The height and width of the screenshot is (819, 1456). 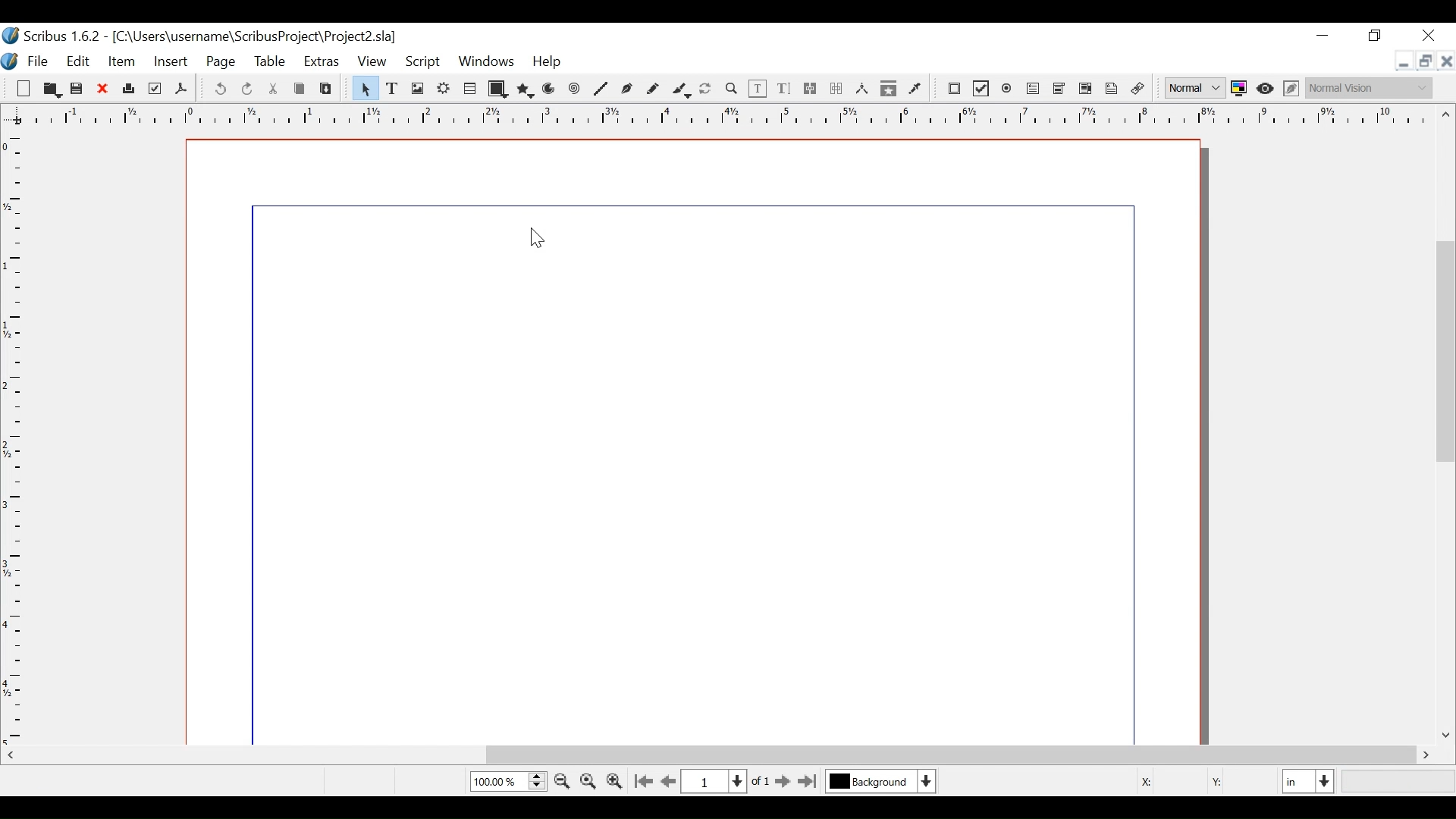 I want to click on Rotate image, so click(x=707, y=89).